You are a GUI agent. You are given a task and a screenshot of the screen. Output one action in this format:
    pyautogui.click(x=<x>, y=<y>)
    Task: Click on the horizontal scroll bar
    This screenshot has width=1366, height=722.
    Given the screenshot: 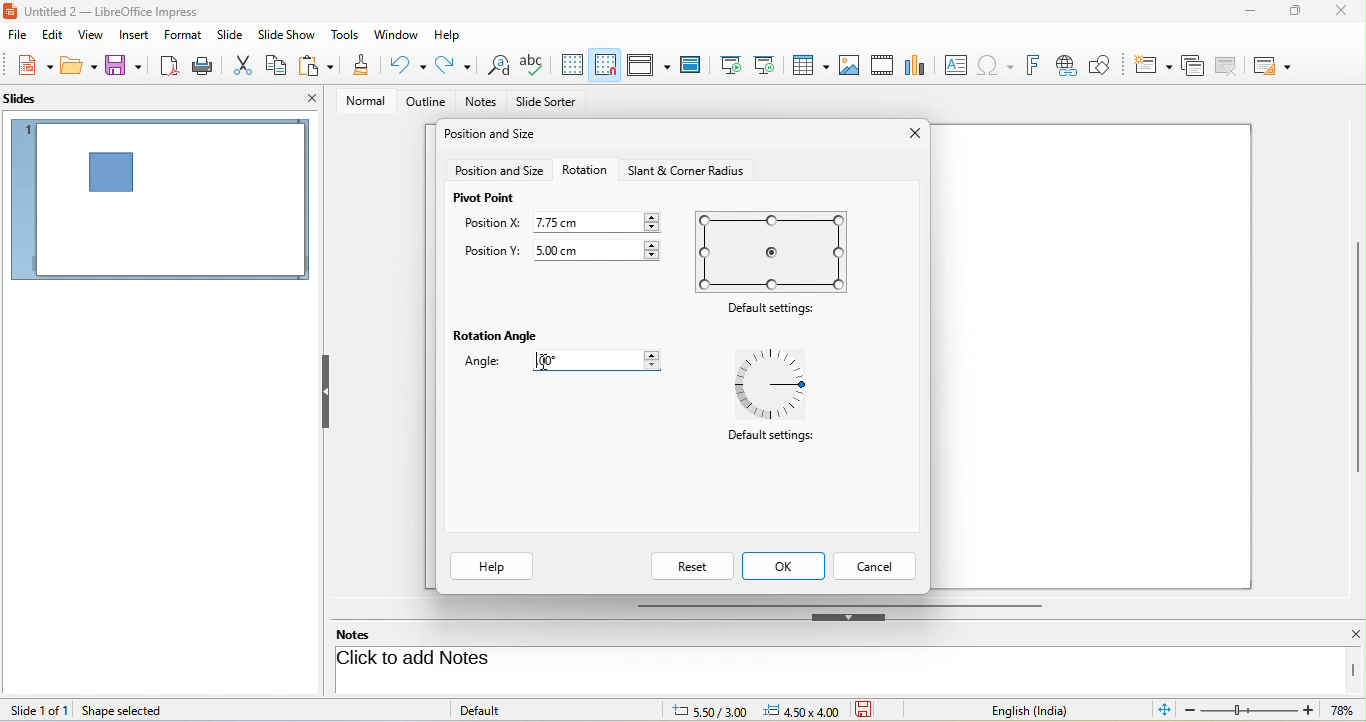 What is the action you would take?
    pyautogui.click(x=839, y=604)
    